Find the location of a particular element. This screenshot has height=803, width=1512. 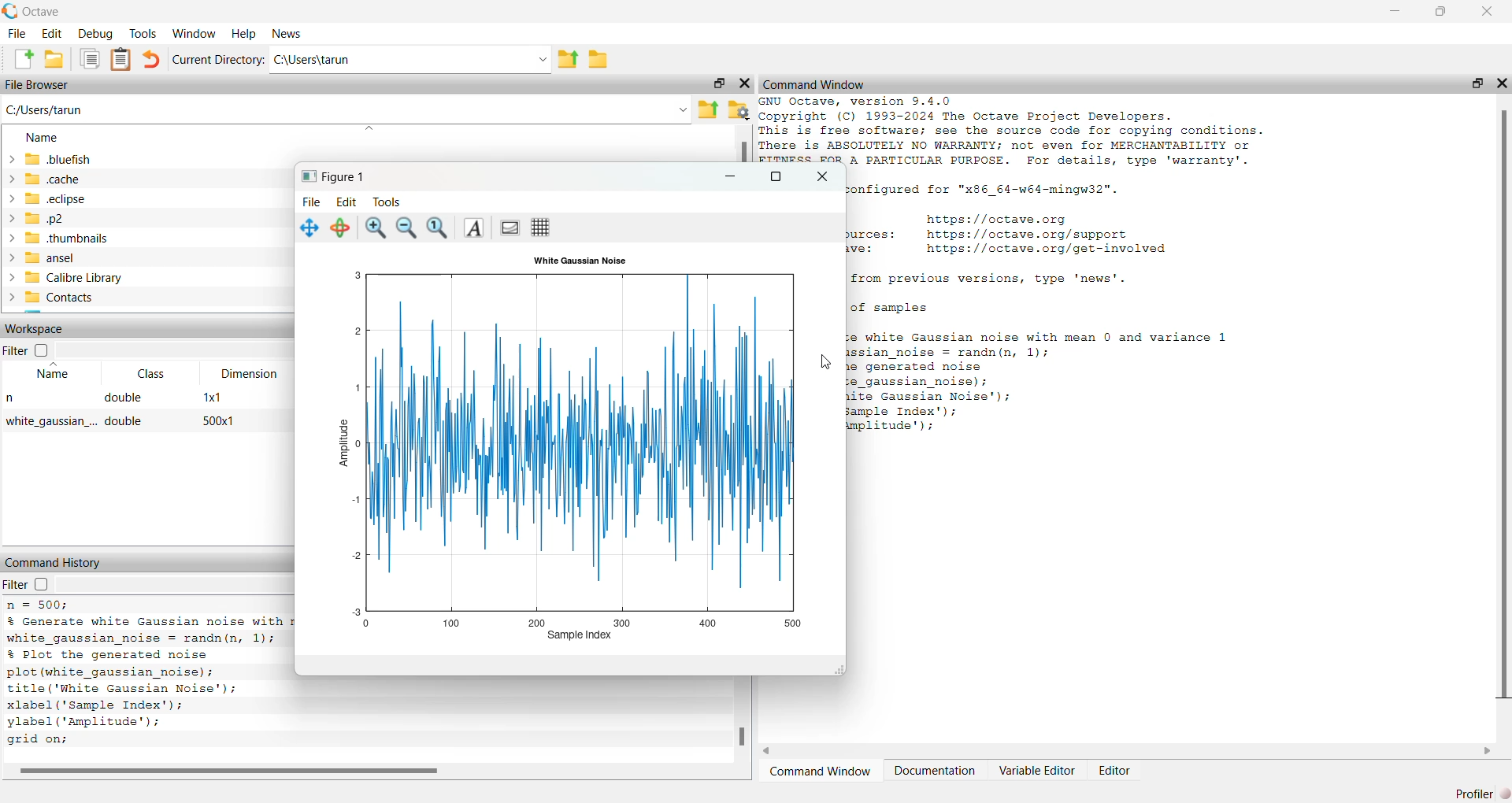

News is located at coordinates (291, 33).